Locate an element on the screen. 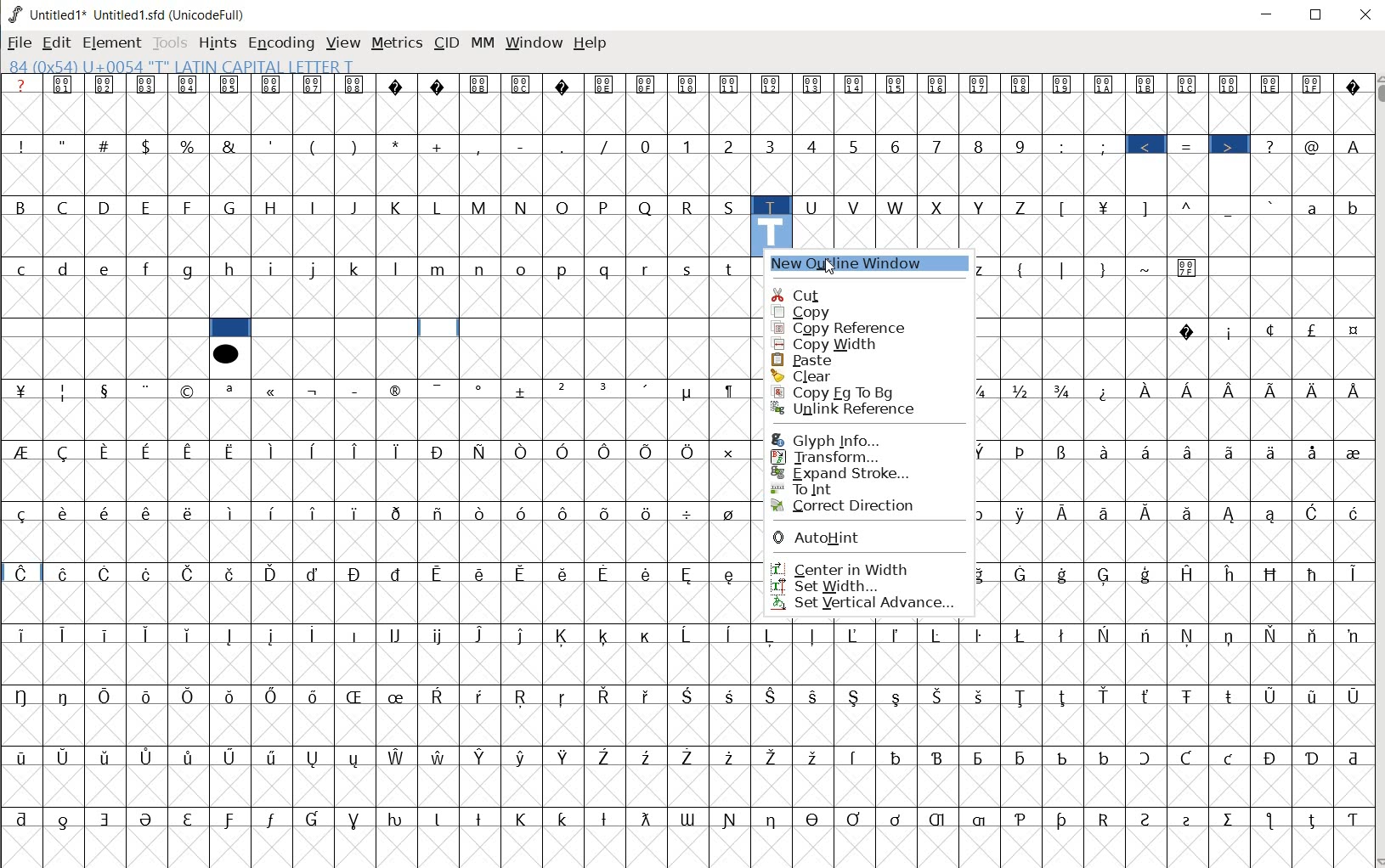 This screenshot has width=1385, height=868. T is located at coordinates (772, 205).